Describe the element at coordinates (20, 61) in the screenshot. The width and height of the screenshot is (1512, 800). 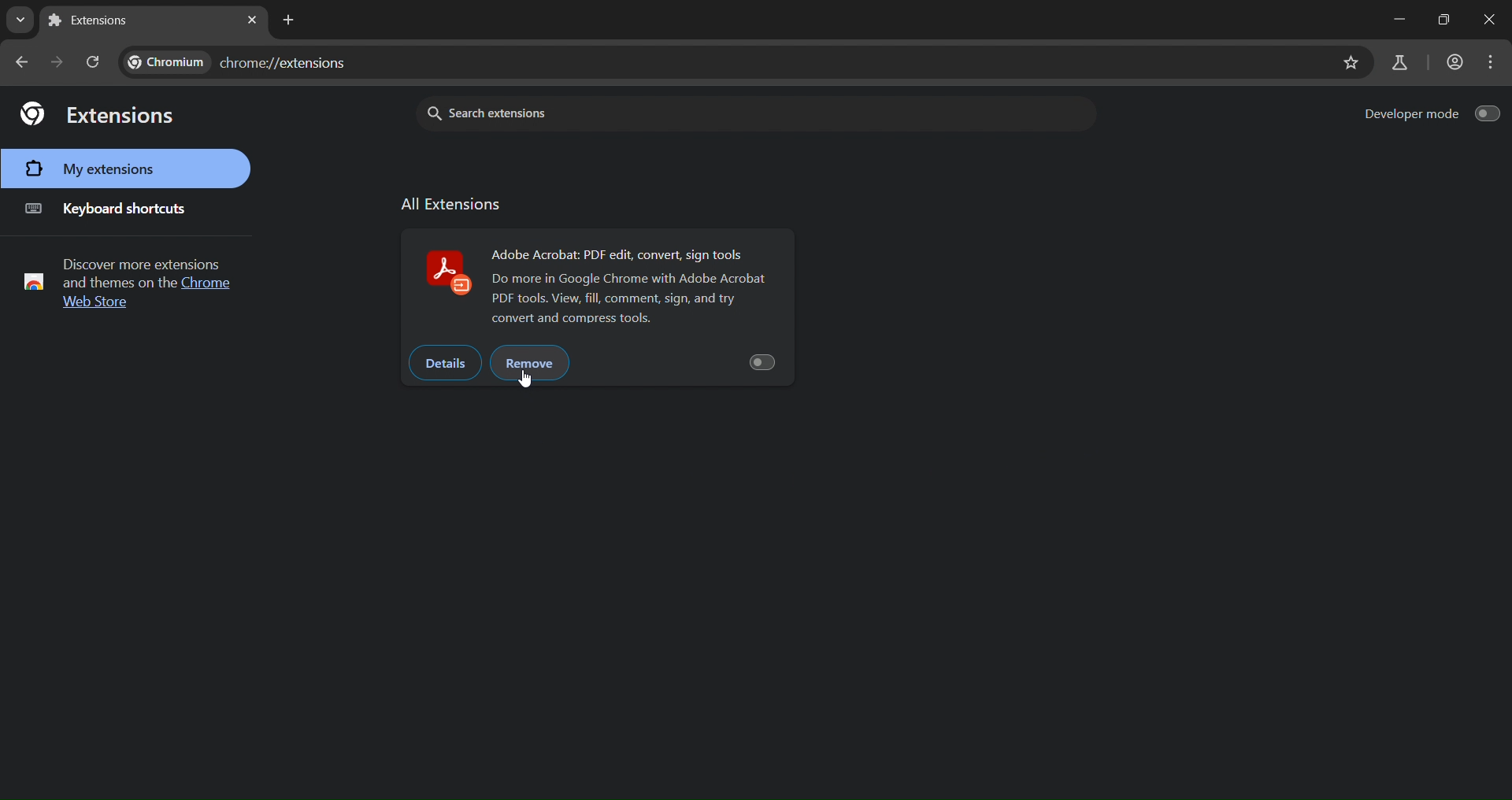
I see `go back one page` at that location.